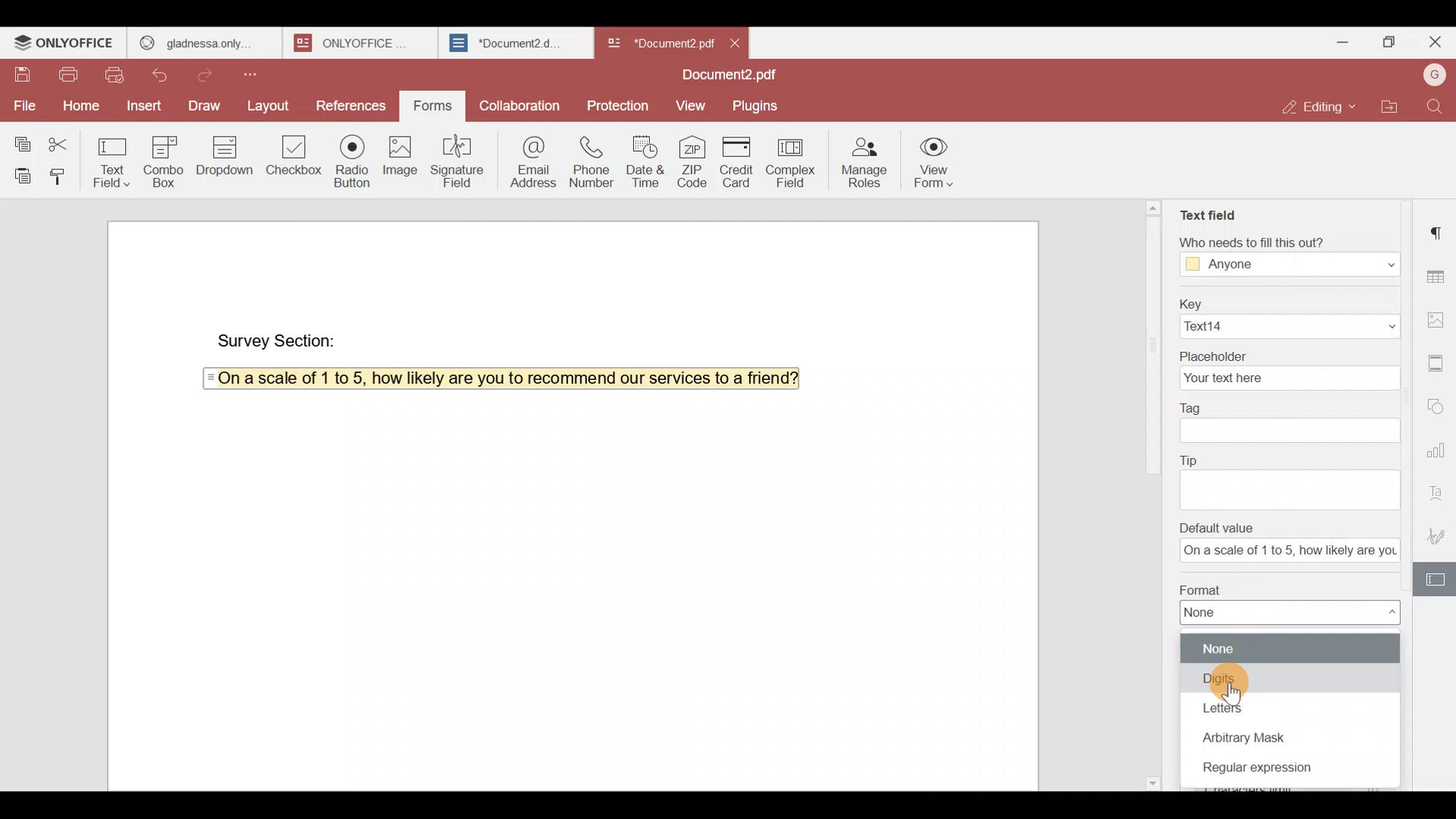 The height and width of the screenshot is (819, 1456). What do you see at coordinates (161, 161) in the screenshot?
I see `Combo box` at bounding box center [161, 161].